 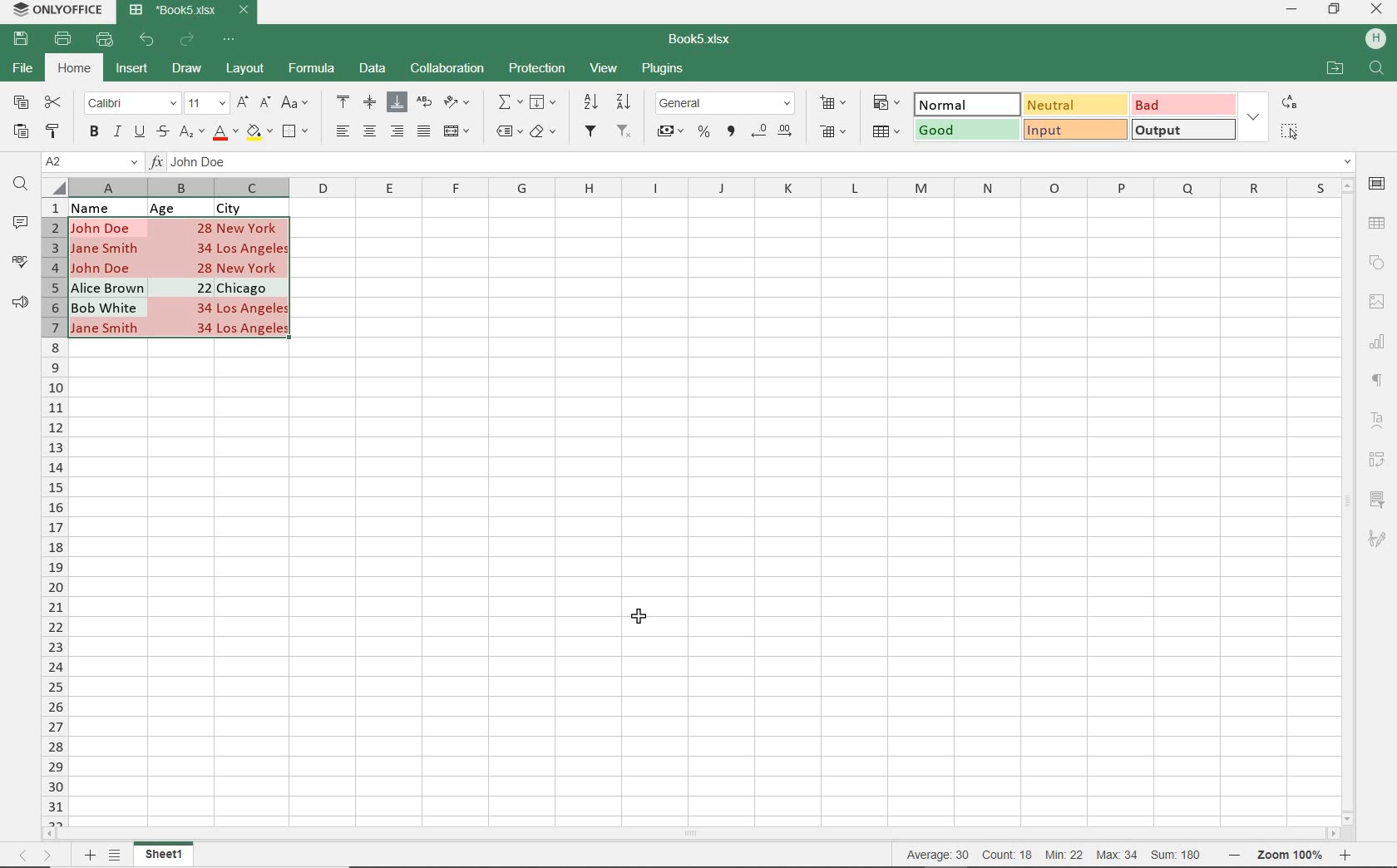 I want to click on SHAPE, so click(x=1376, y=263).